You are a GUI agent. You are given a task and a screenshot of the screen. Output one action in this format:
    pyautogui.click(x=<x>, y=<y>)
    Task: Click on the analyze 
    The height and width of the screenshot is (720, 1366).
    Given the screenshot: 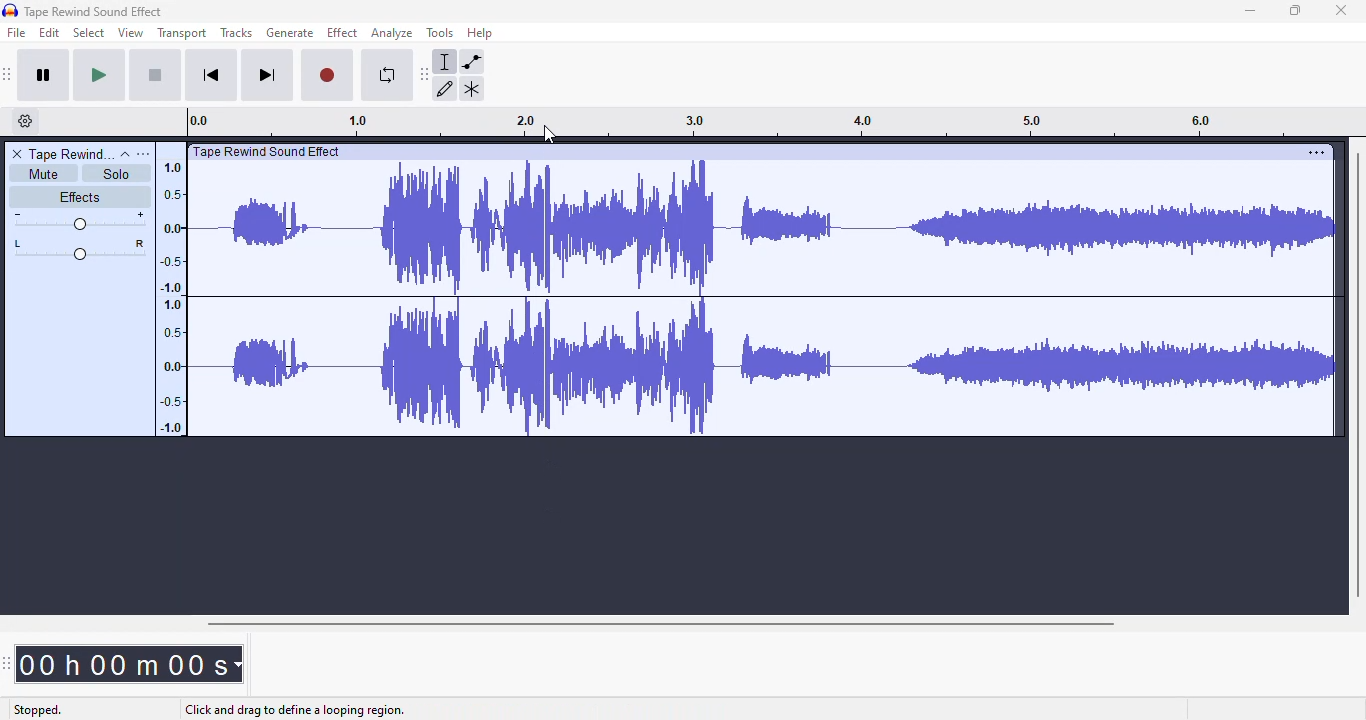 What is the action you would take?
    pyautogui.click(x=392, y=33)
    